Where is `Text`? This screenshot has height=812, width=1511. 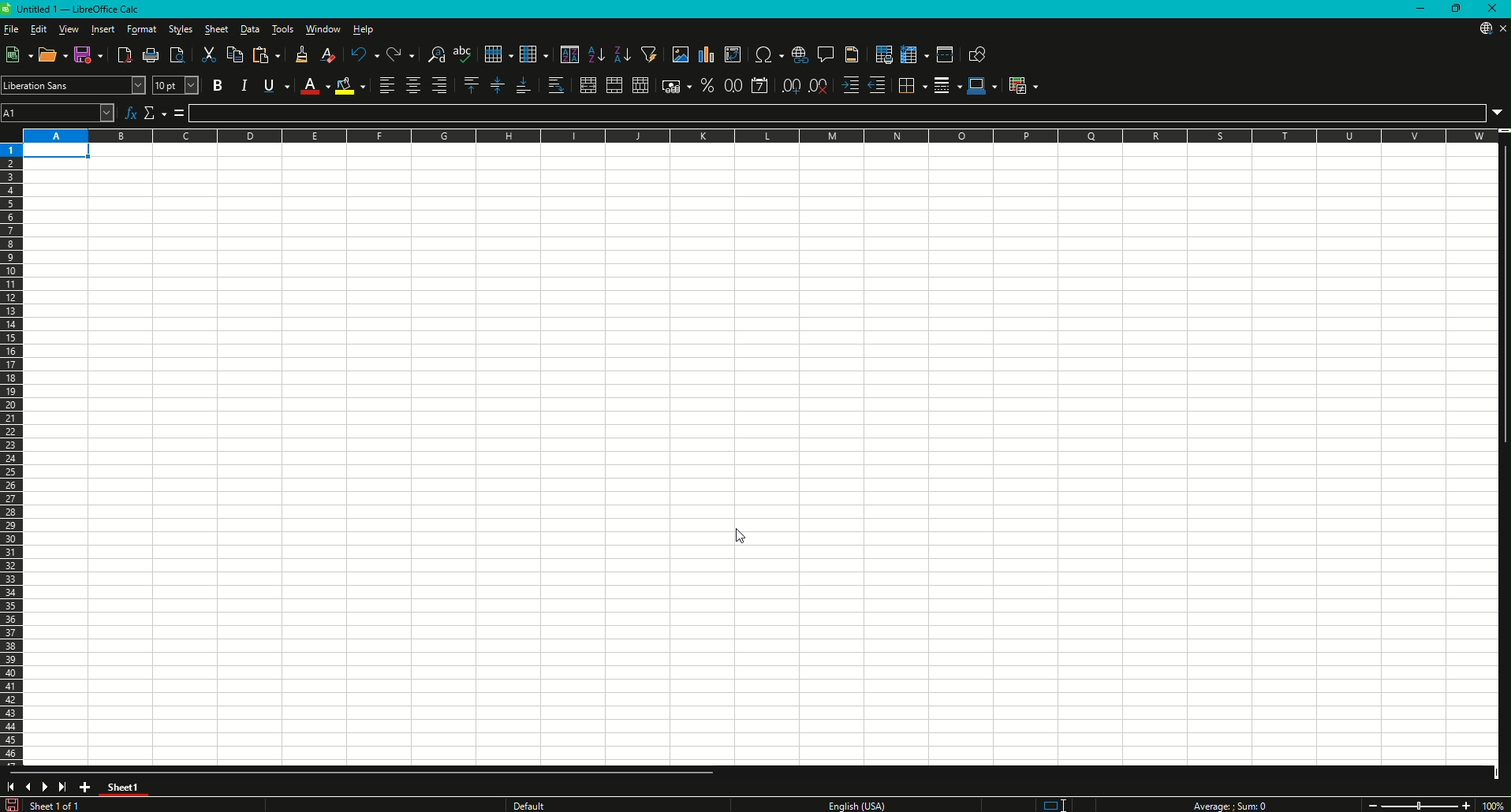 Text is located at coordinates (78, 9).